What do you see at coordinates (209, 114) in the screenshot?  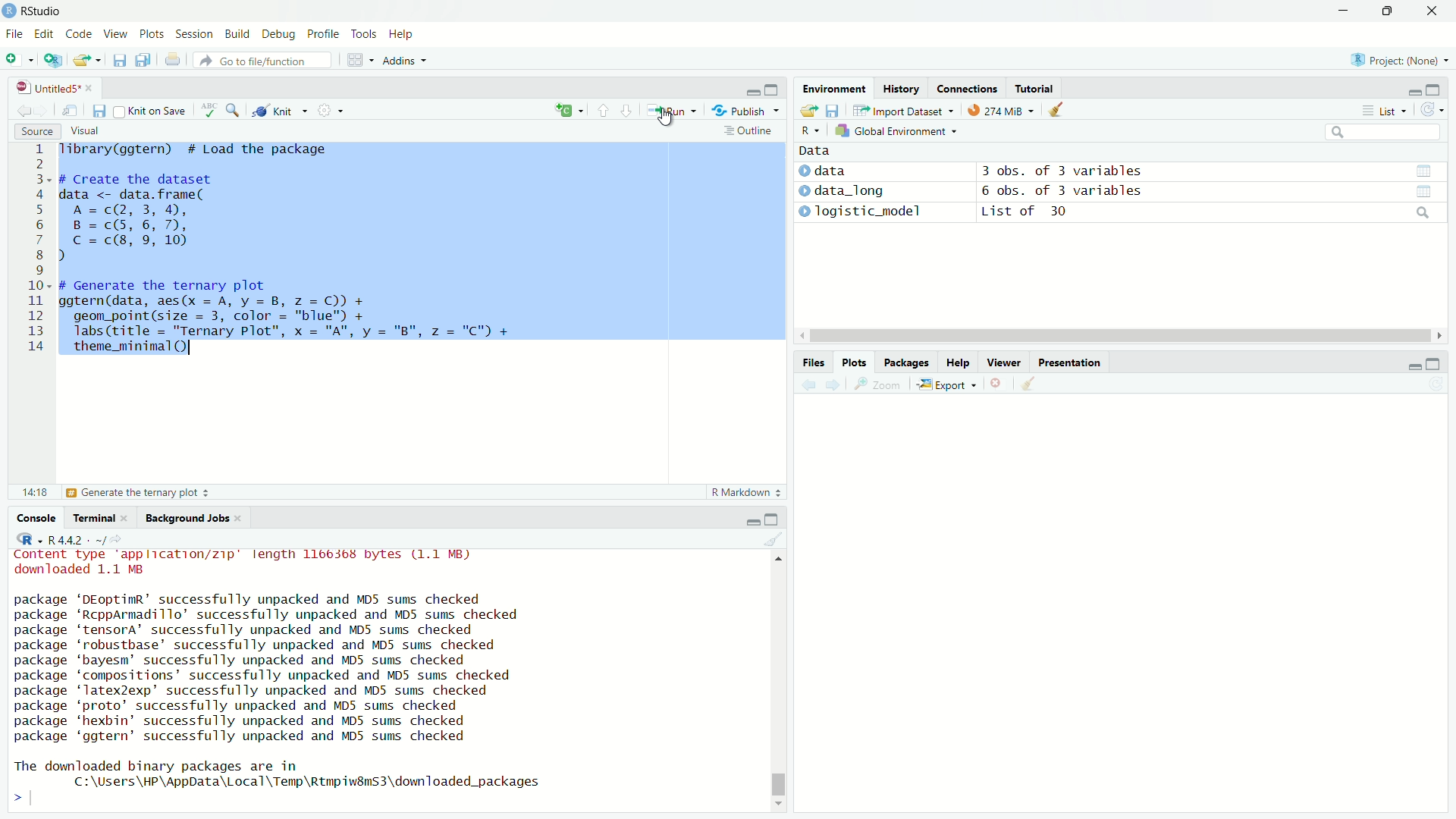 I see `abc` at bounding box center [209, 114].